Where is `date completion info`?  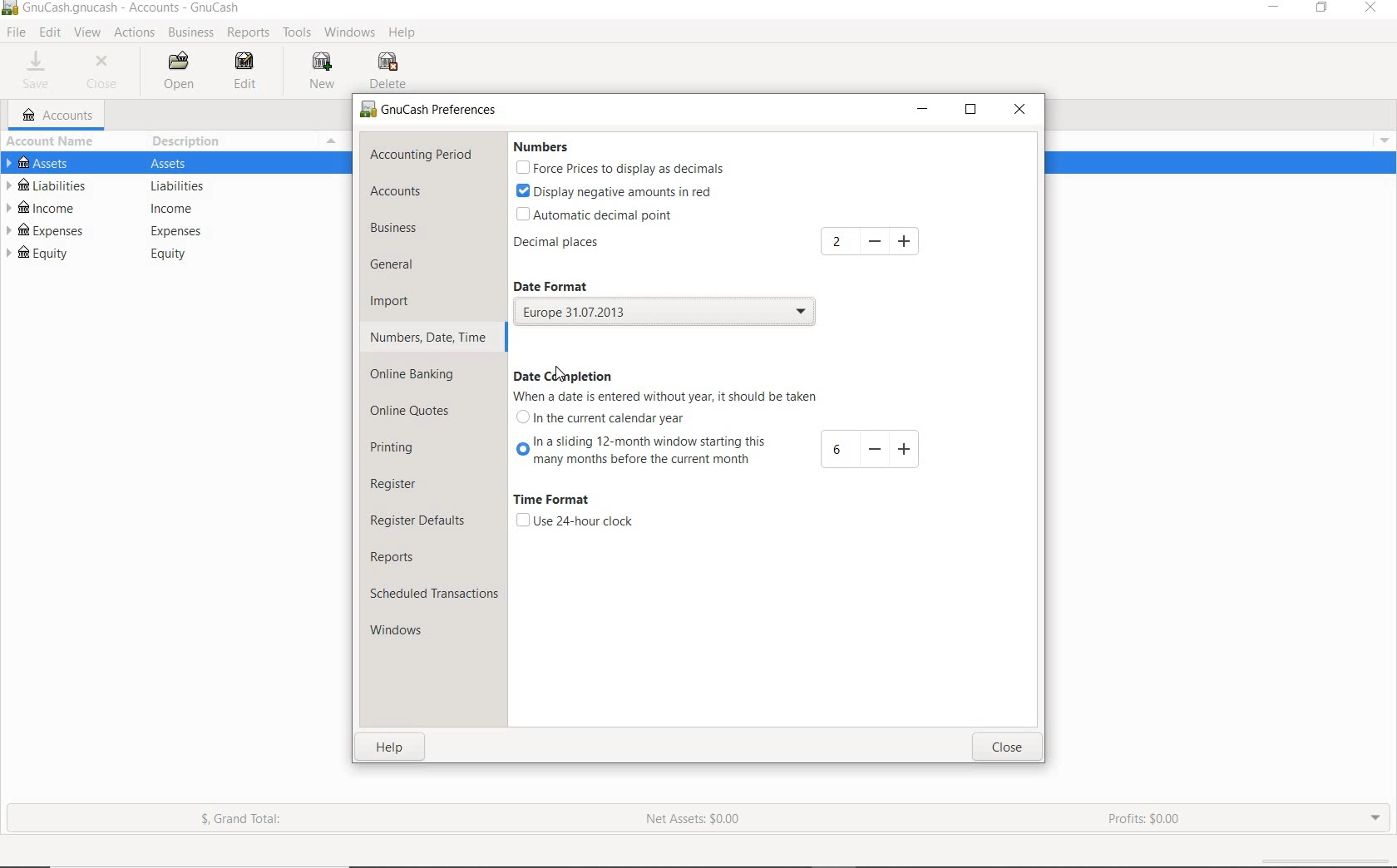
date completion info is located at coordinates (672, 397).